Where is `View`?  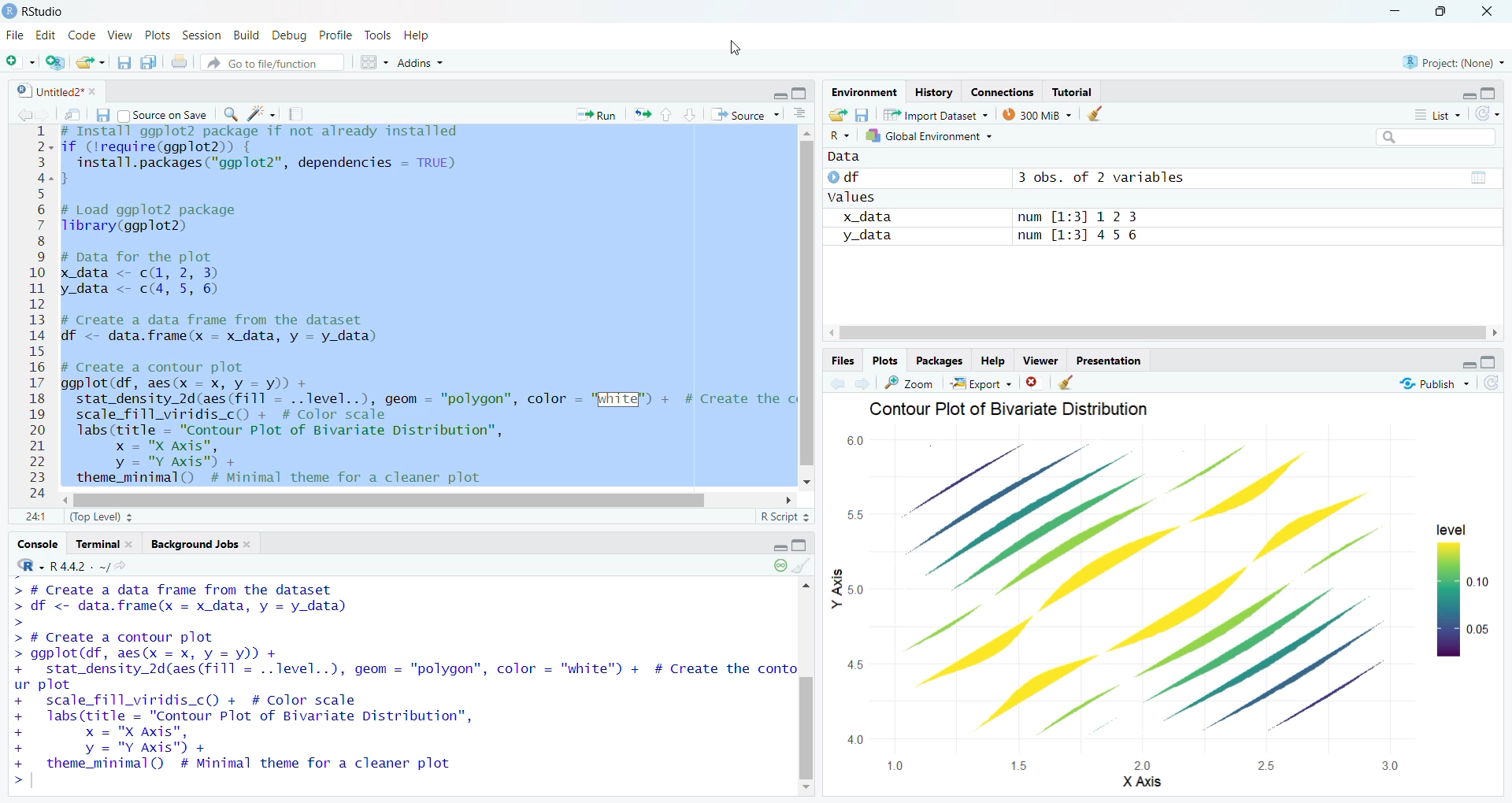
View is located at coordinates (117, 36).